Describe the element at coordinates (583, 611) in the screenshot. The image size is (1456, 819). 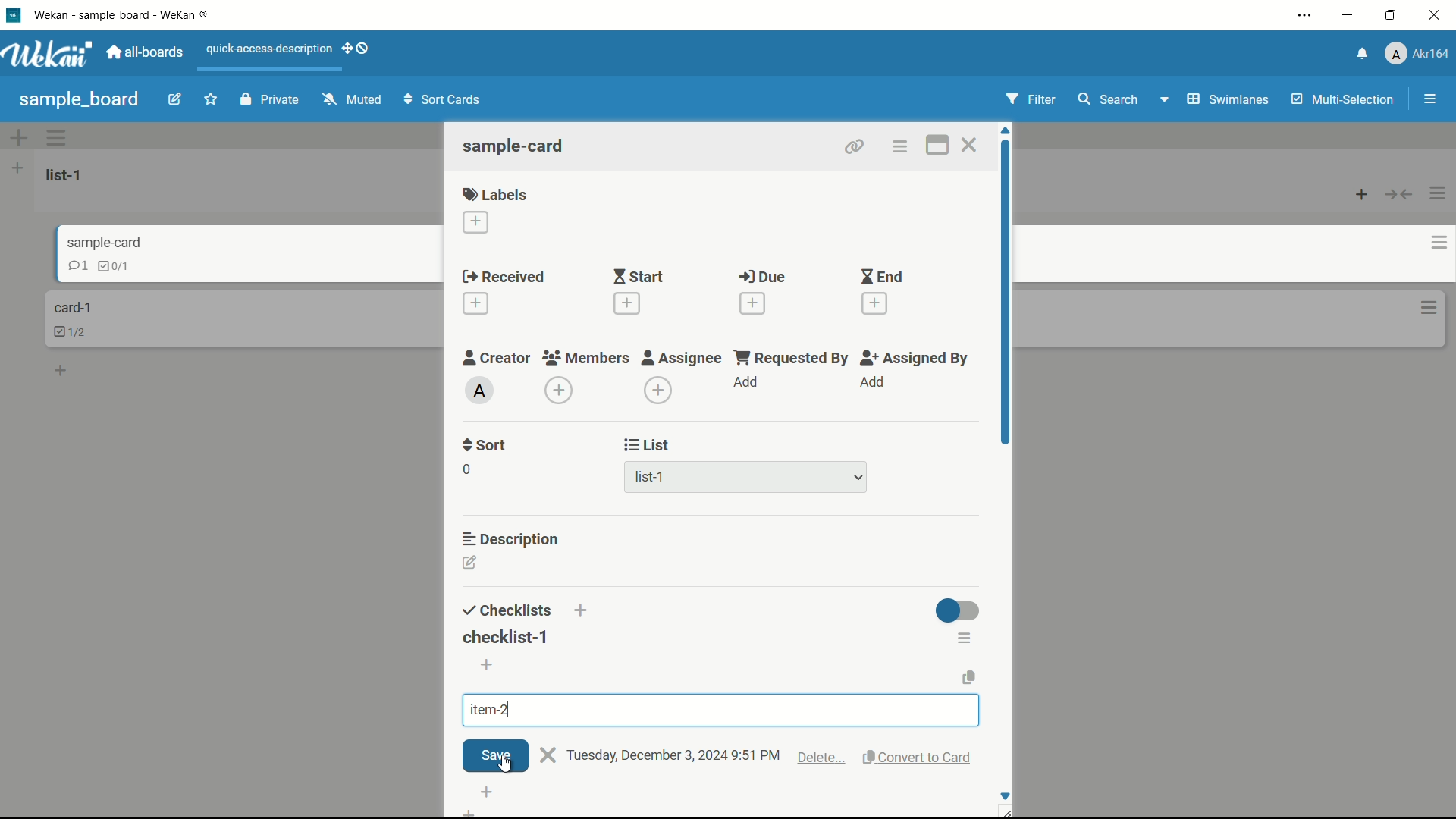
I see `add checklist` at that location.